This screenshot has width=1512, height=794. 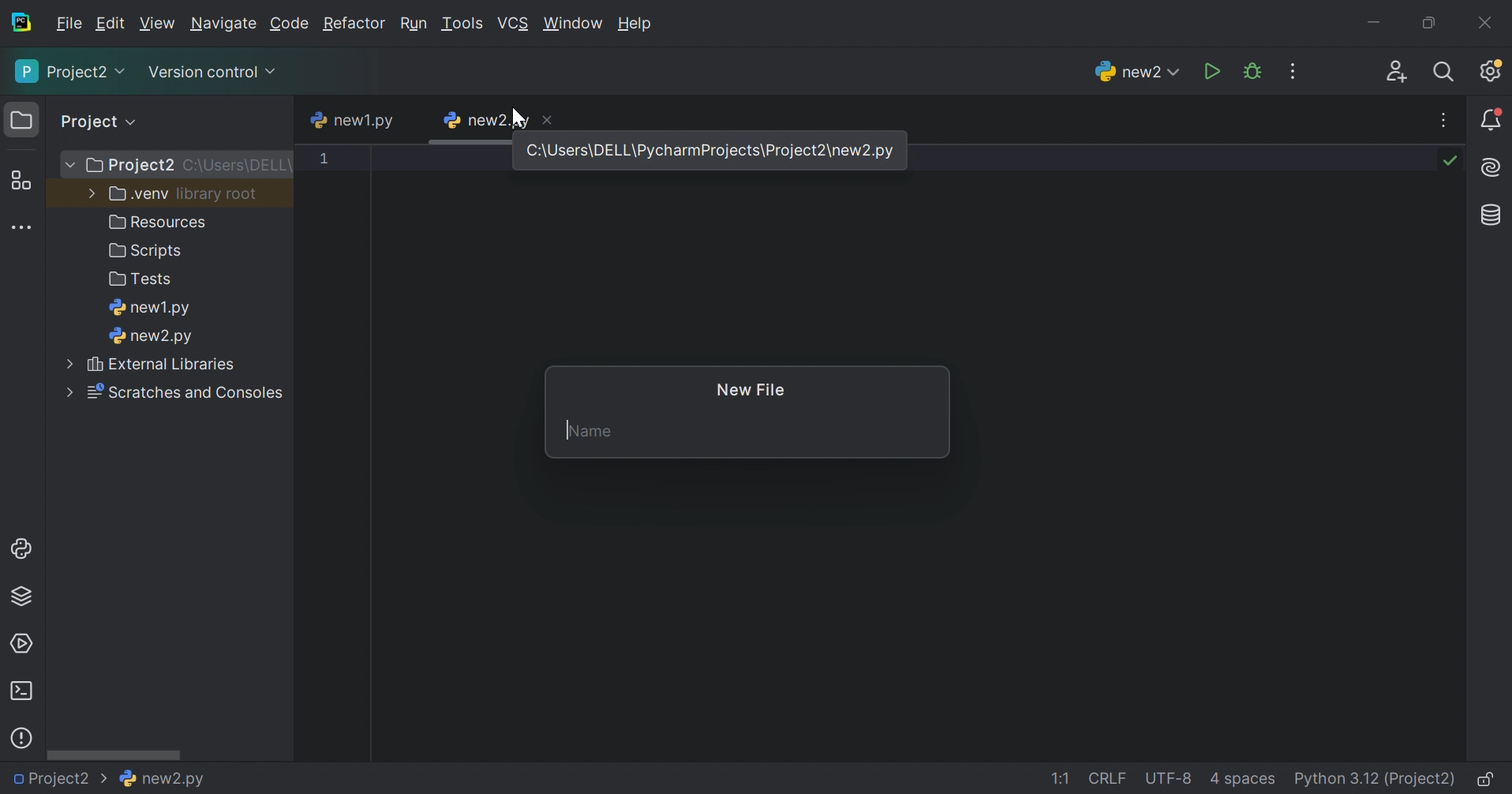 I want to click on CRLF, so click(x=1110, y=780).